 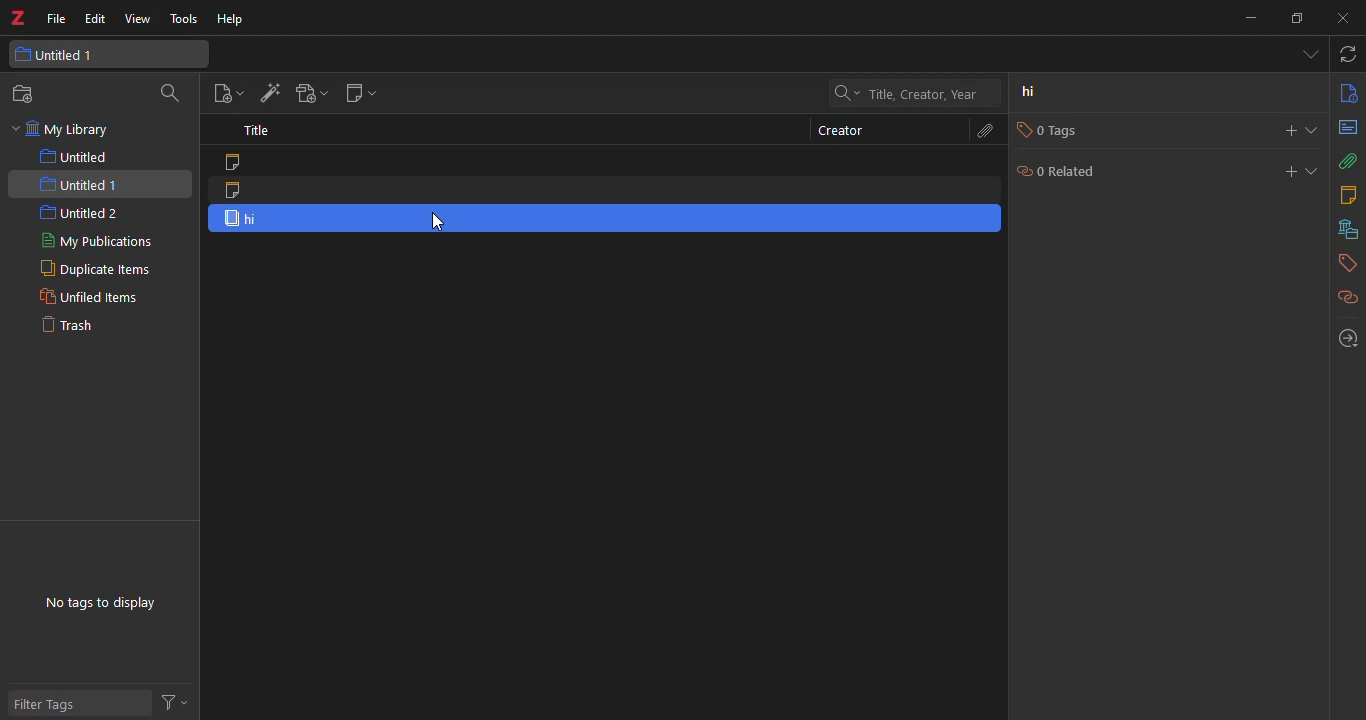 What do you see at coordinates (66, 326) in the screenshot?
I see `trash` at bounding box center [66, 326].